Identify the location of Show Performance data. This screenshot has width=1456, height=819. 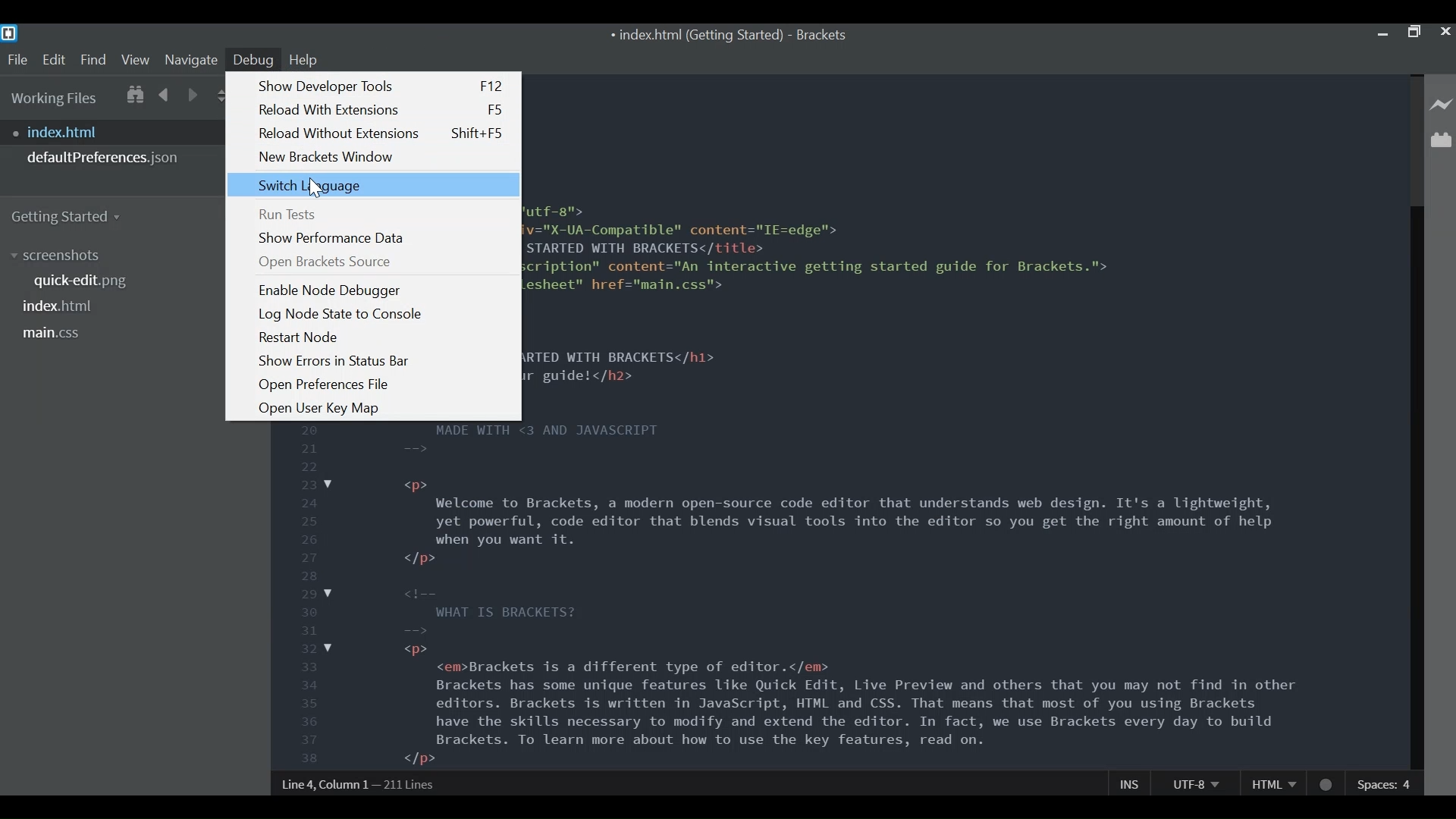
(331, 237).